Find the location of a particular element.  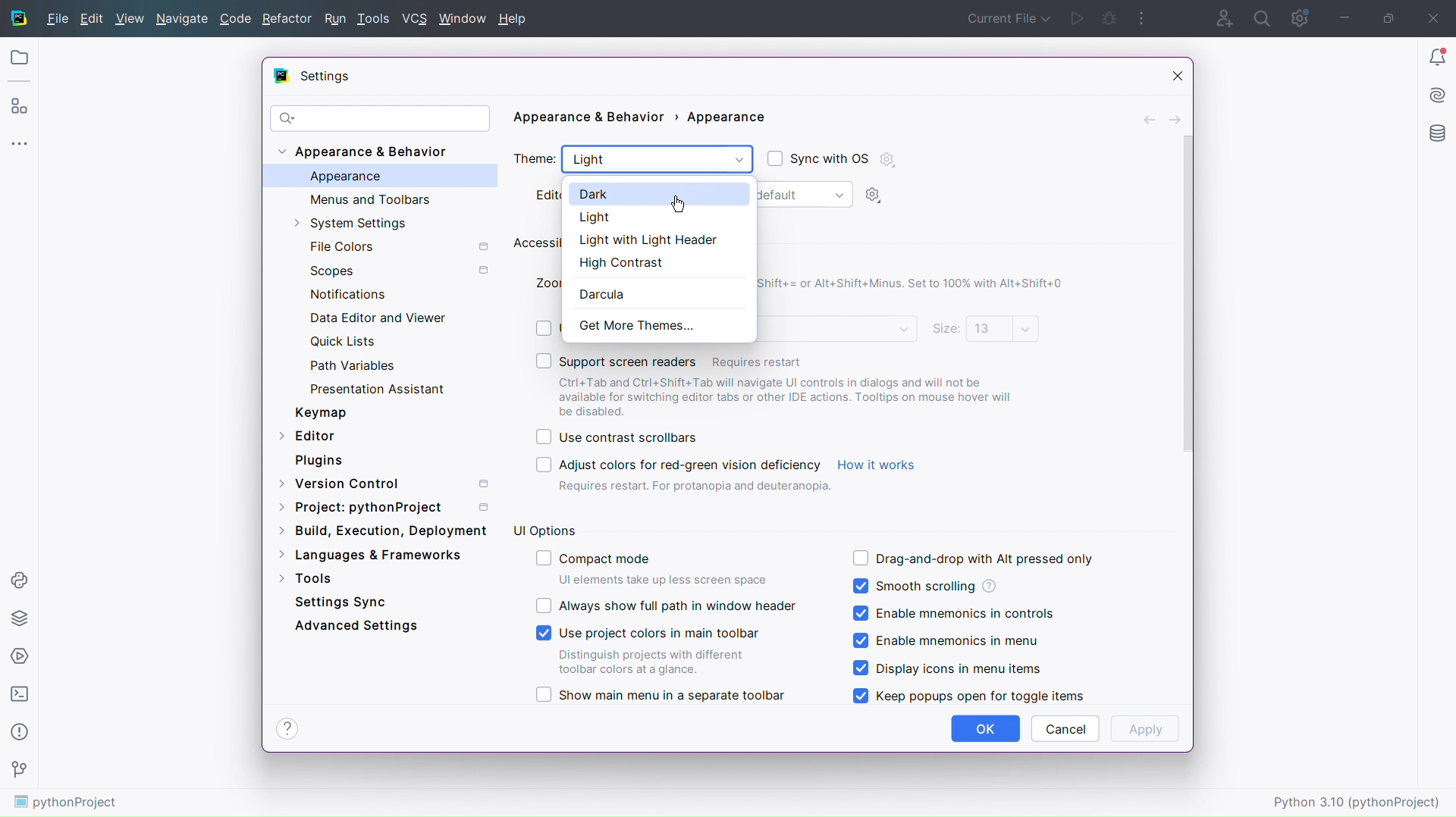

Use project colors in main toolbar is located at coordinates (651, 649).